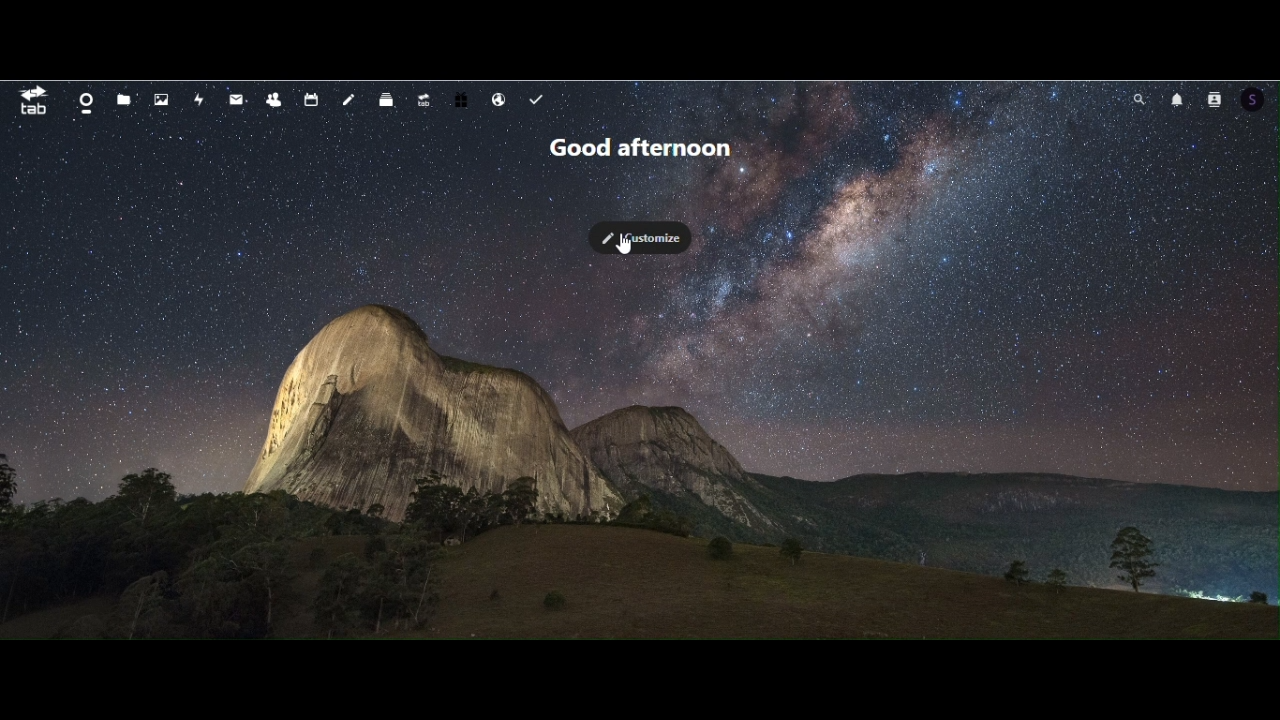  I want to click on calendar, so click(310, 99).